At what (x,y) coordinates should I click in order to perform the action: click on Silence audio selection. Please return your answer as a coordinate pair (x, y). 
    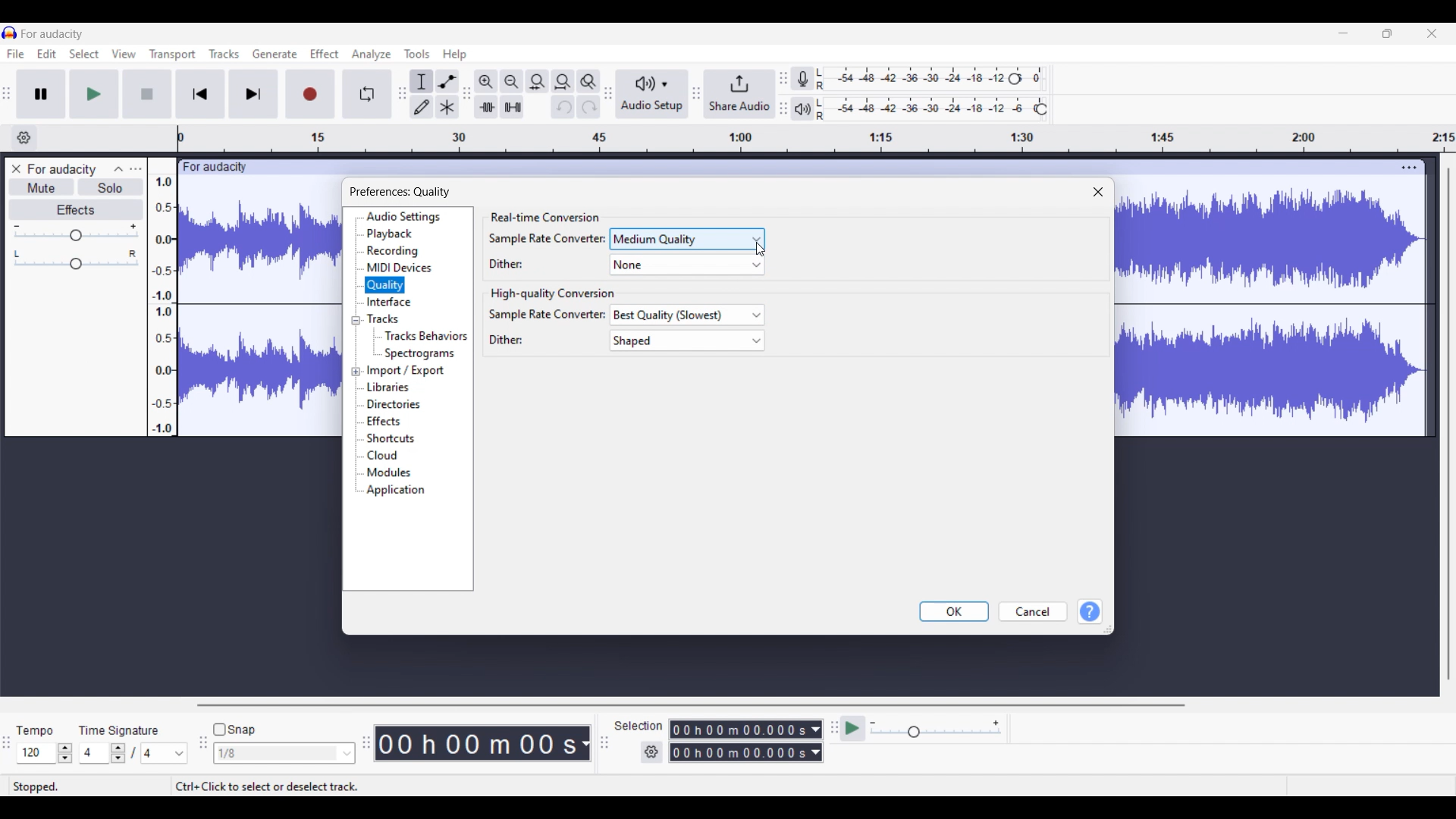
    Looking at the image, I should click on (513, 107).